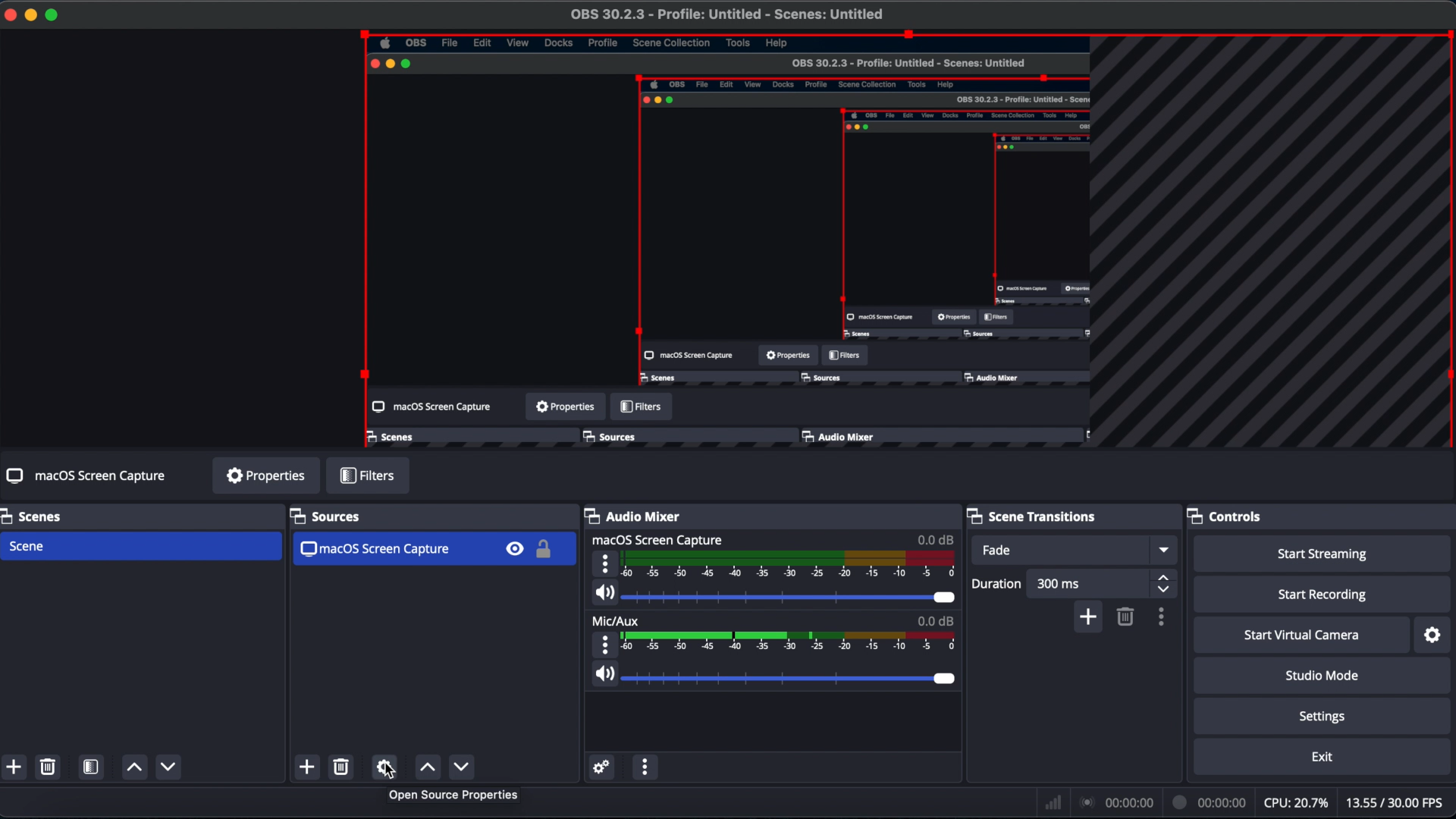 This screenshot has height=819, width=1456. I want to click on 0.0dB, so click(935, 620).